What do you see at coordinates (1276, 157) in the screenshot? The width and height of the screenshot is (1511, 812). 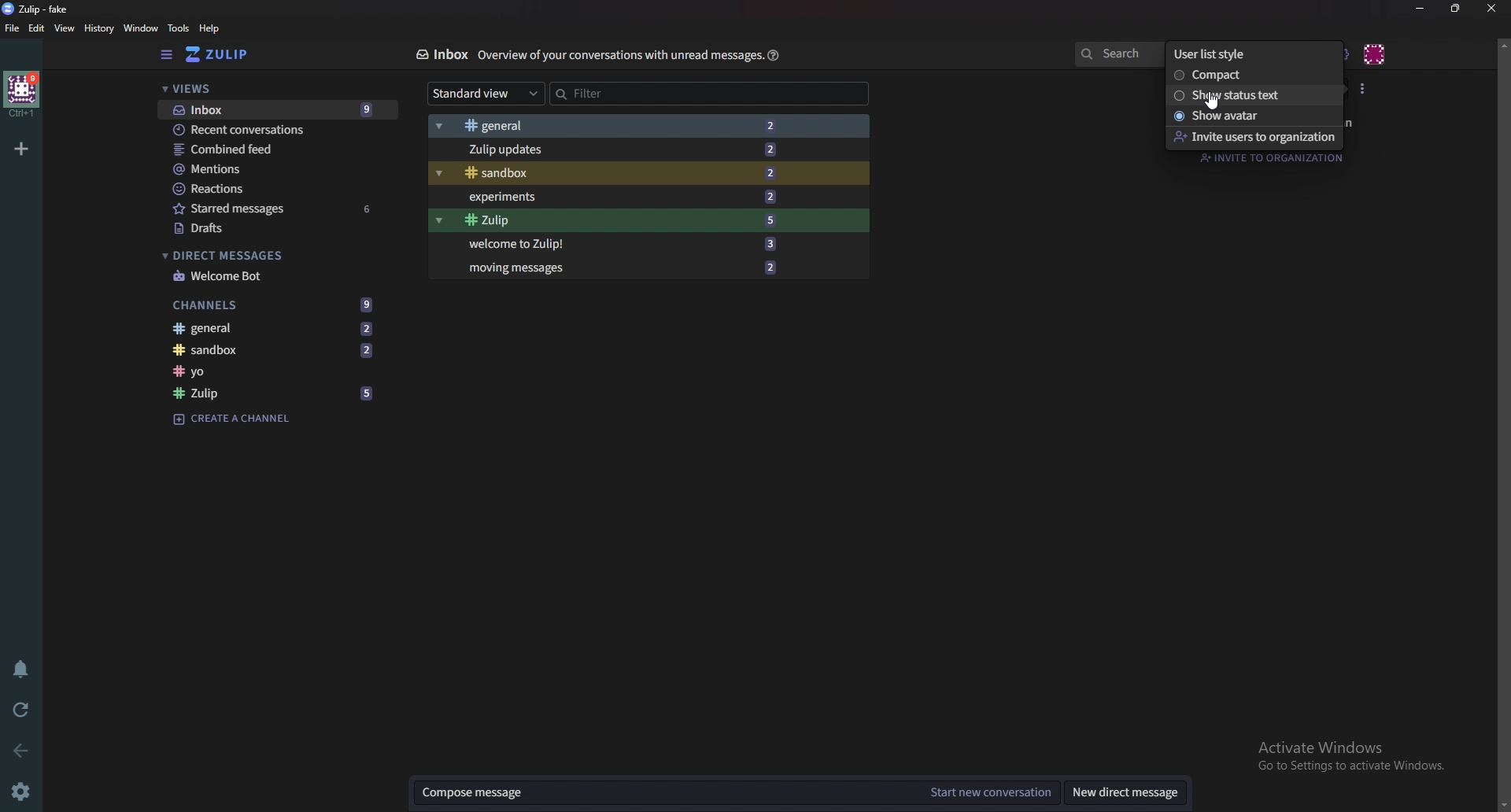 I see `Invite to organization` at bounding box center [1276, 157].